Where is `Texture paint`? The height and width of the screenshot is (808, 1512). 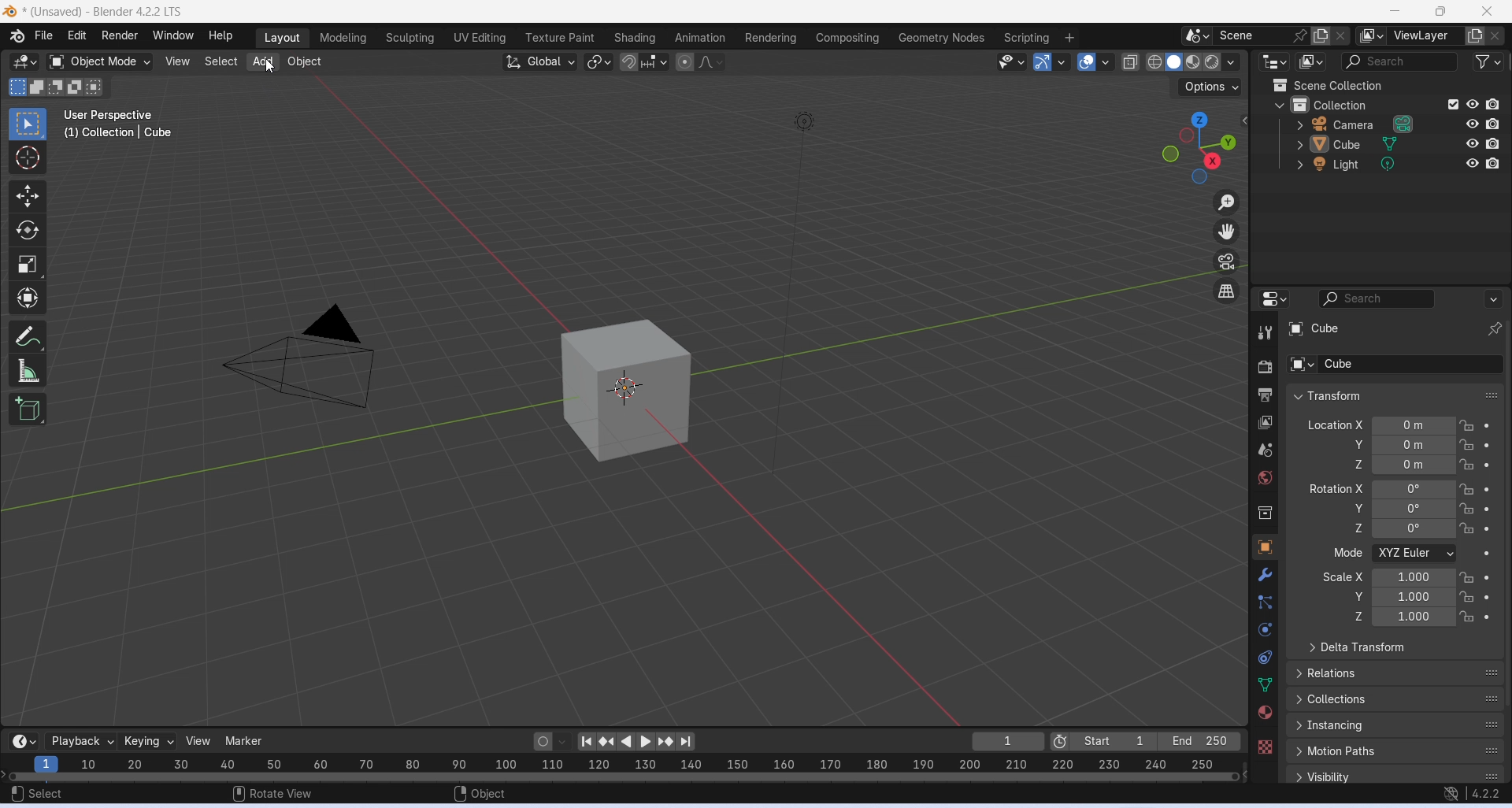 Texture paint is located at coordinates (560, 38).